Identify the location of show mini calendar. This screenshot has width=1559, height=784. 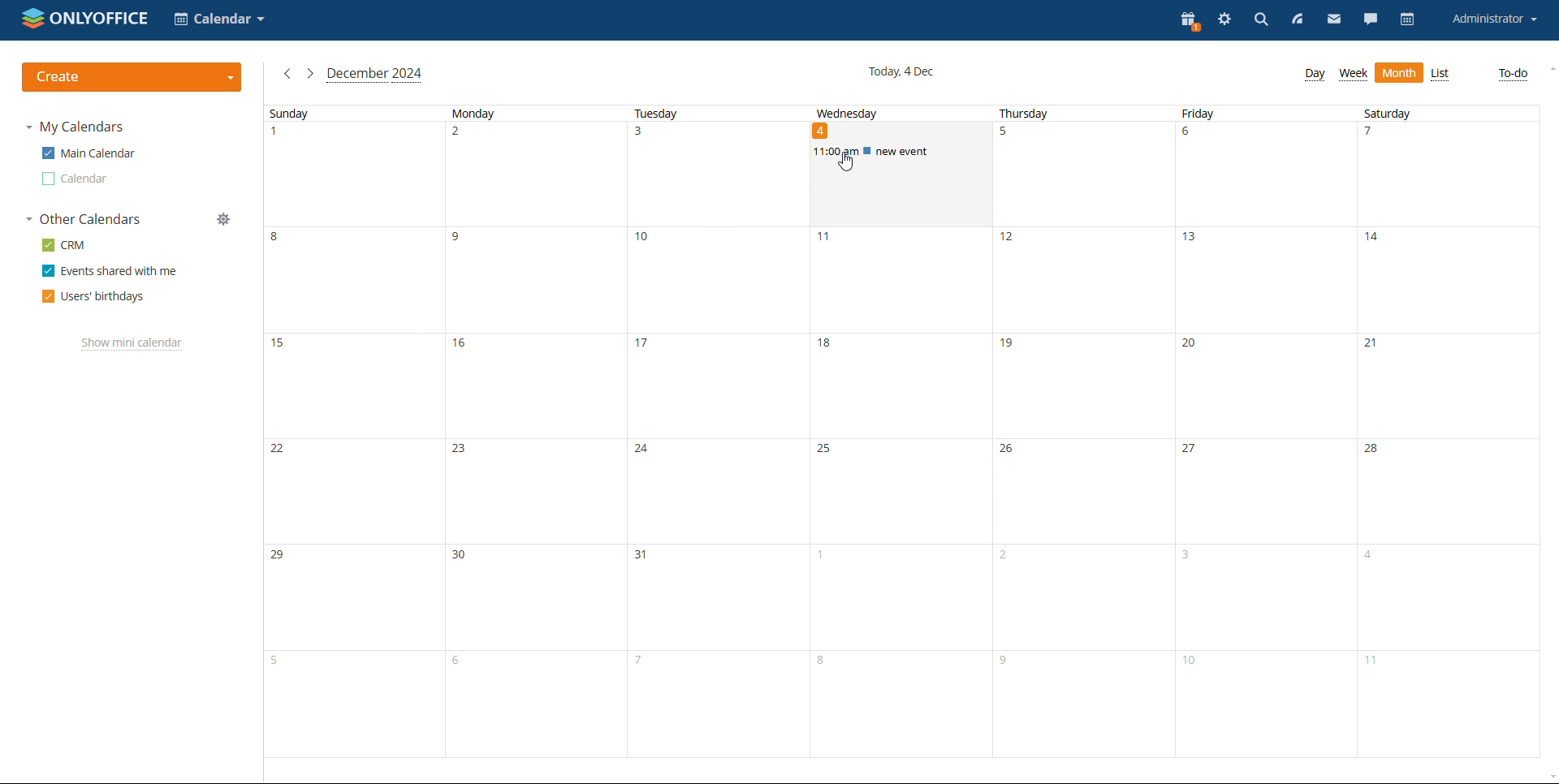
(132, 344).